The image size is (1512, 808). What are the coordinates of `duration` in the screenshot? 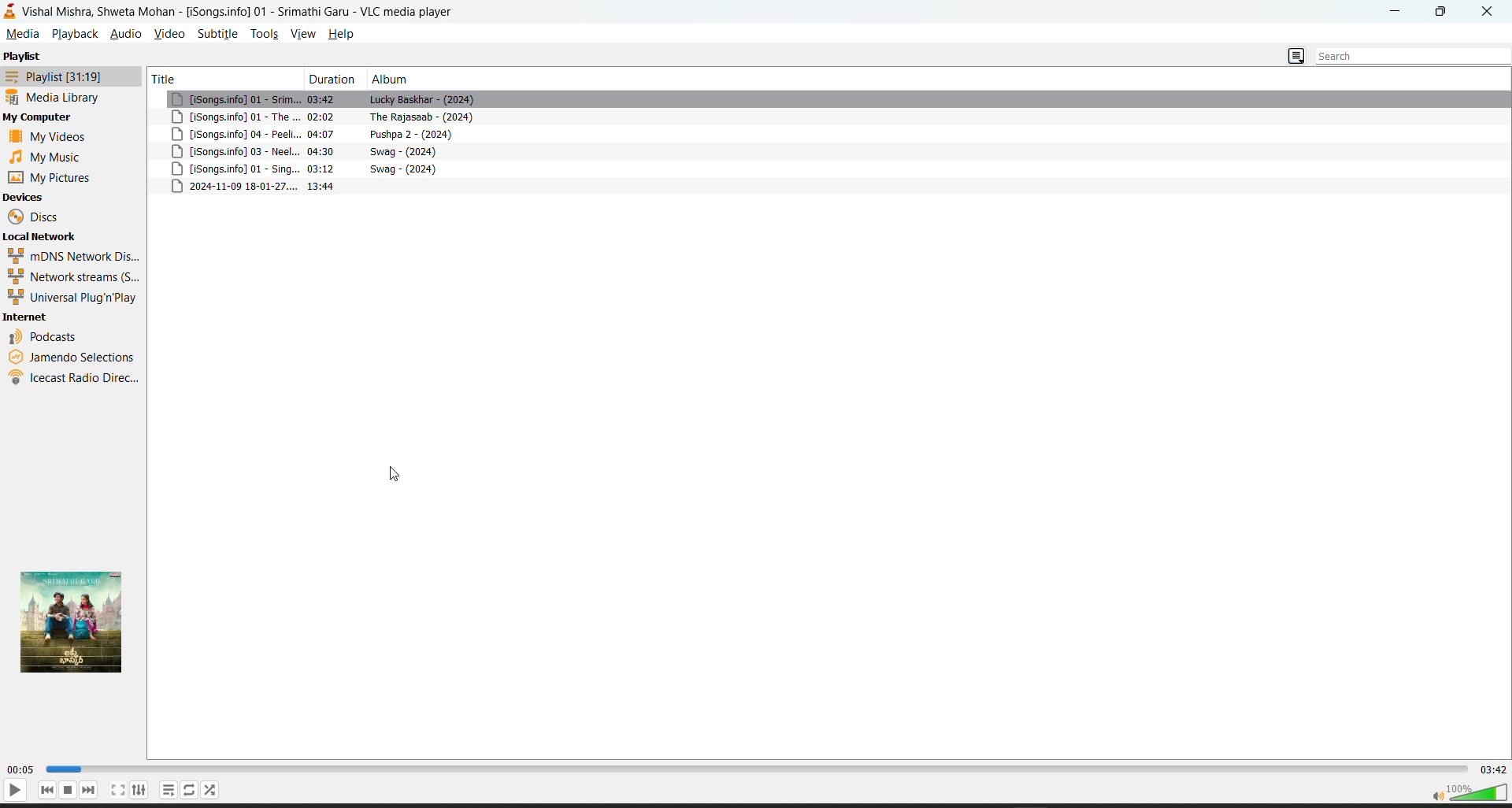 It's located at (329, 79).